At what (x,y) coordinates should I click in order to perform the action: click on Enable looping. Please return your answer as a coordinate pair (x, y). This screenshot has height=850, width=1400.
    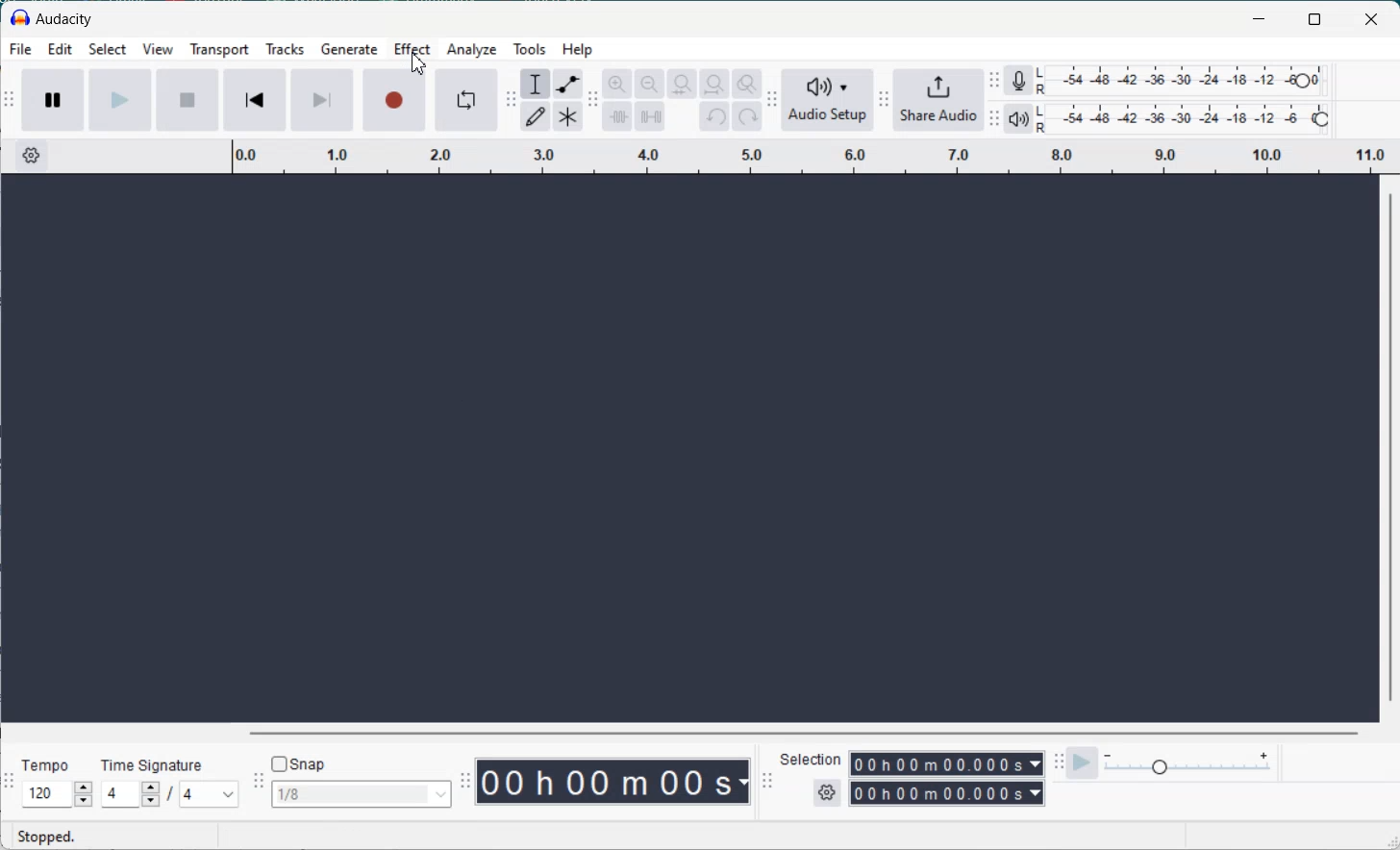
    Looking at the image, I should click on (466, 100).